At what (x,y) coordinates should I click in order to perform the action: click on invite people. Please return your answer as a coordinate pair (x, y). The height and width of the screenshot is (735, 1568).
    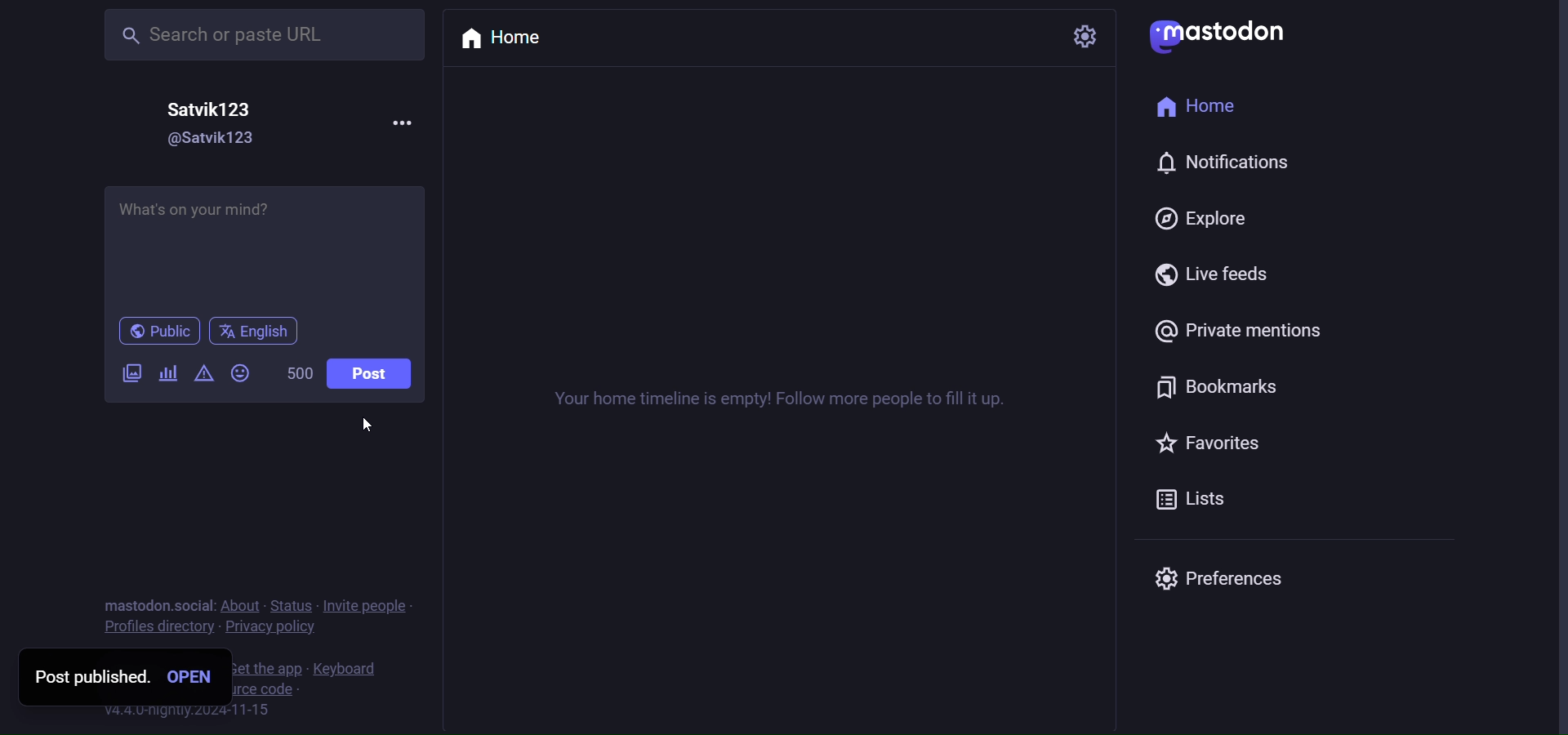
    Looking at the image, I should click on (372, 606).